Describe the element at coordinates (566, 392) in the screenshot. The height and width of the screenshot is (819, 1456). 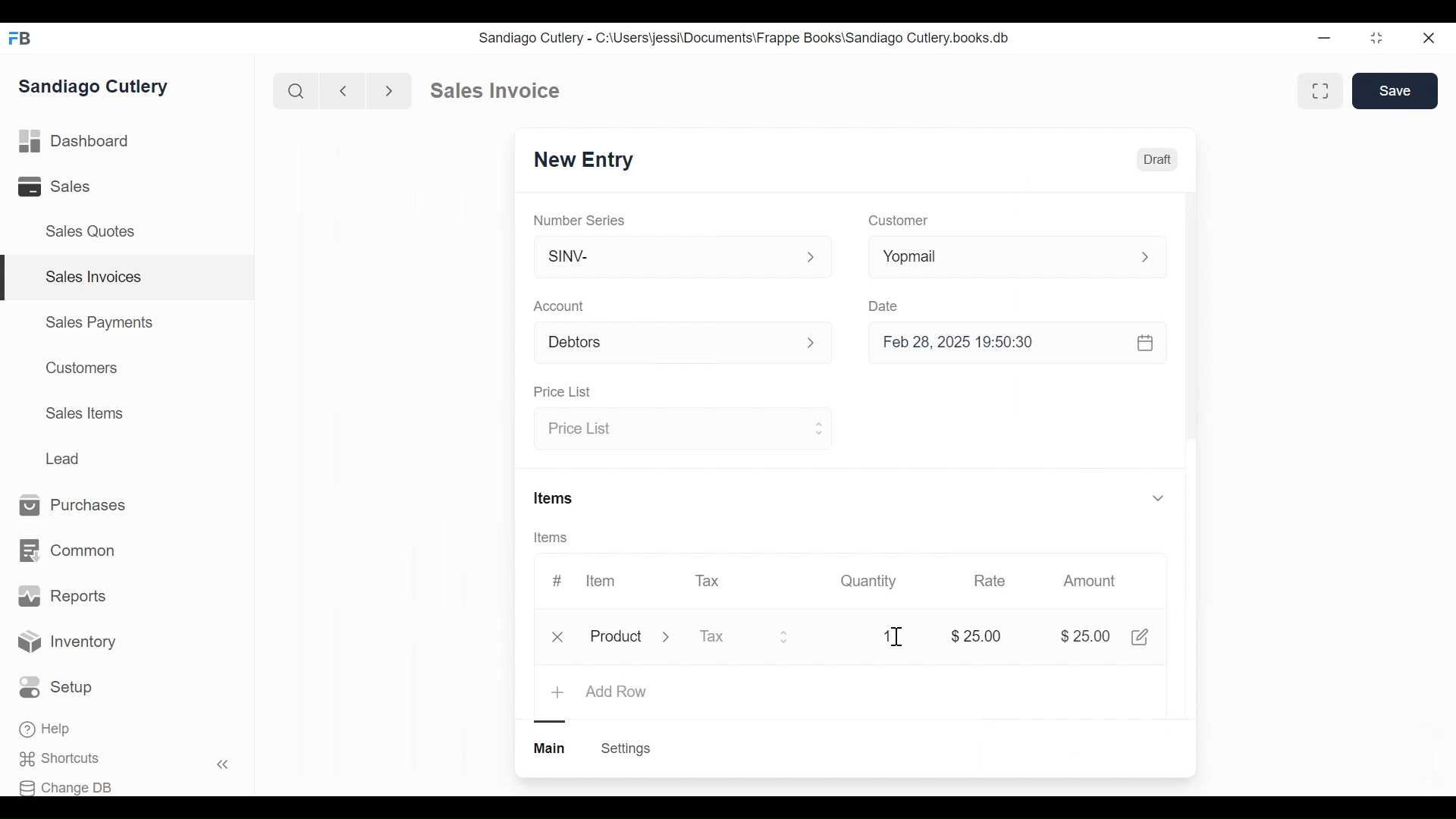
I see `Price List` at that location.